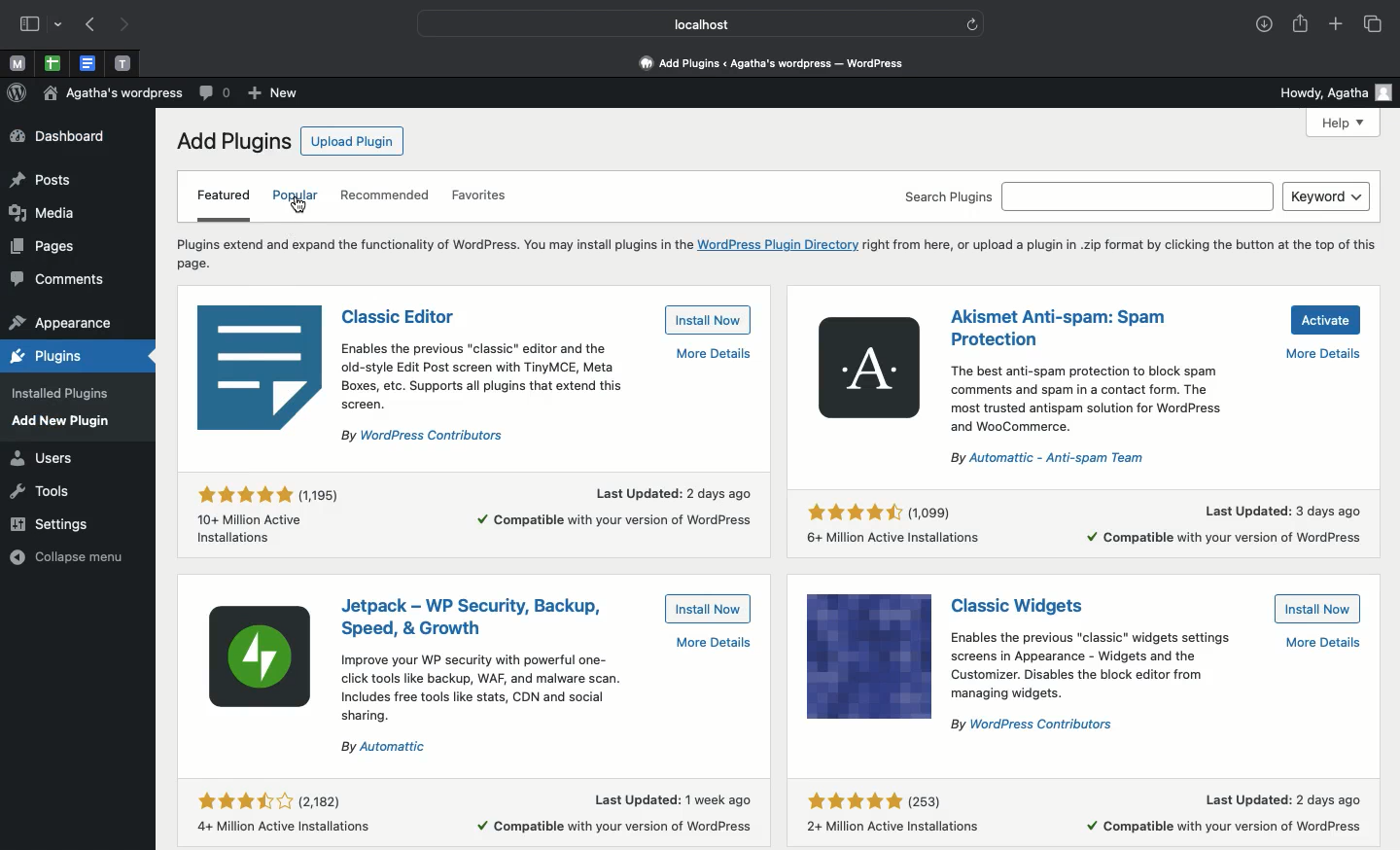 The image size is (1400, 850). I want to click on Instructional text, so click(1079, 421).